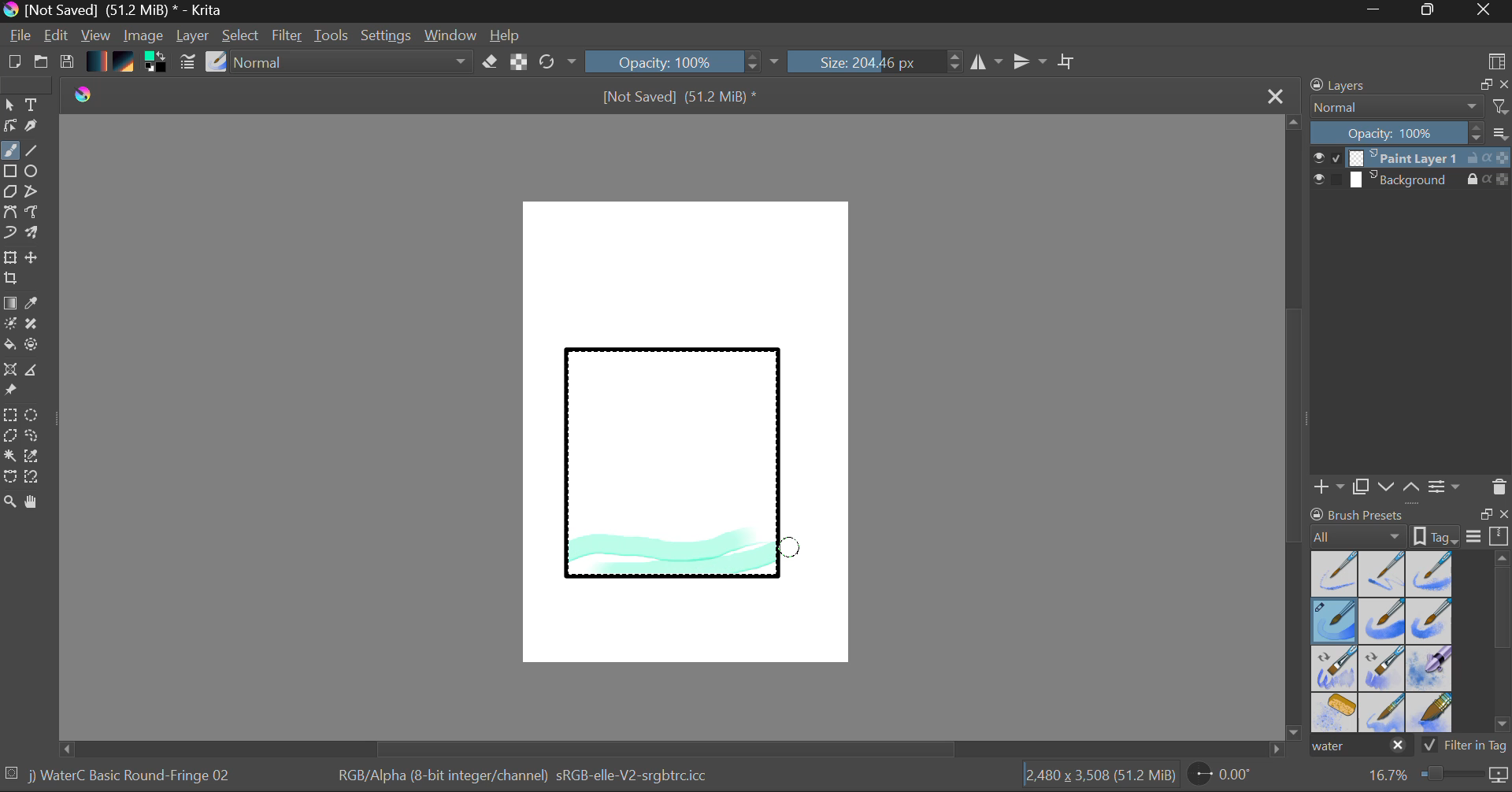 Image resolution: width=1512 pixels, height=792 pixels. What do you see at coordinates (1382, 667) in the screenshot?
I see `Water C - Decay Tilt` at bounding box center [1382, 667].